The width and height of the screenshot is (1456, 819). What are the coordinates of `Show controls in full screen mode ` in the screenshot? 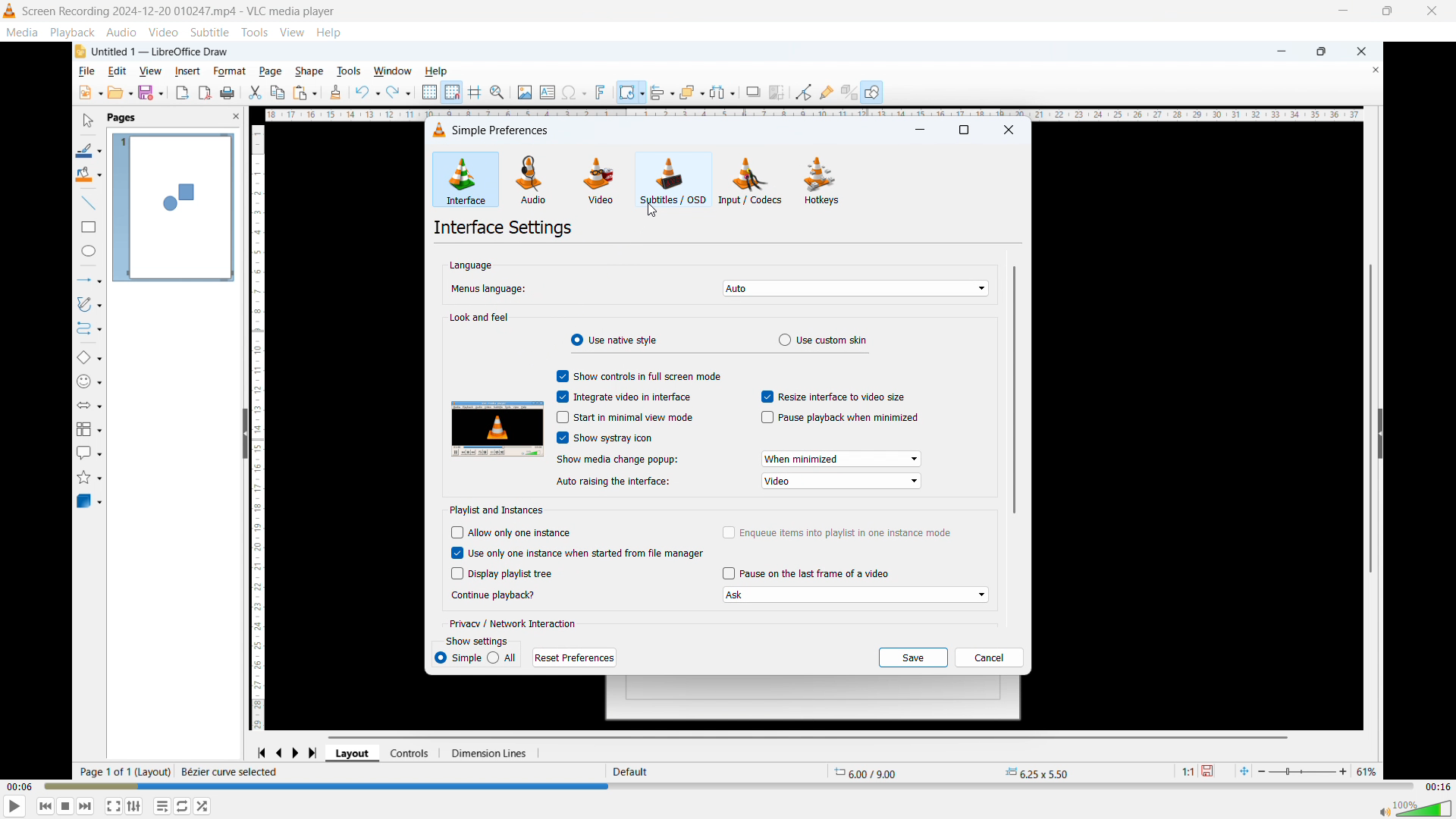 It's located at (638, 375).